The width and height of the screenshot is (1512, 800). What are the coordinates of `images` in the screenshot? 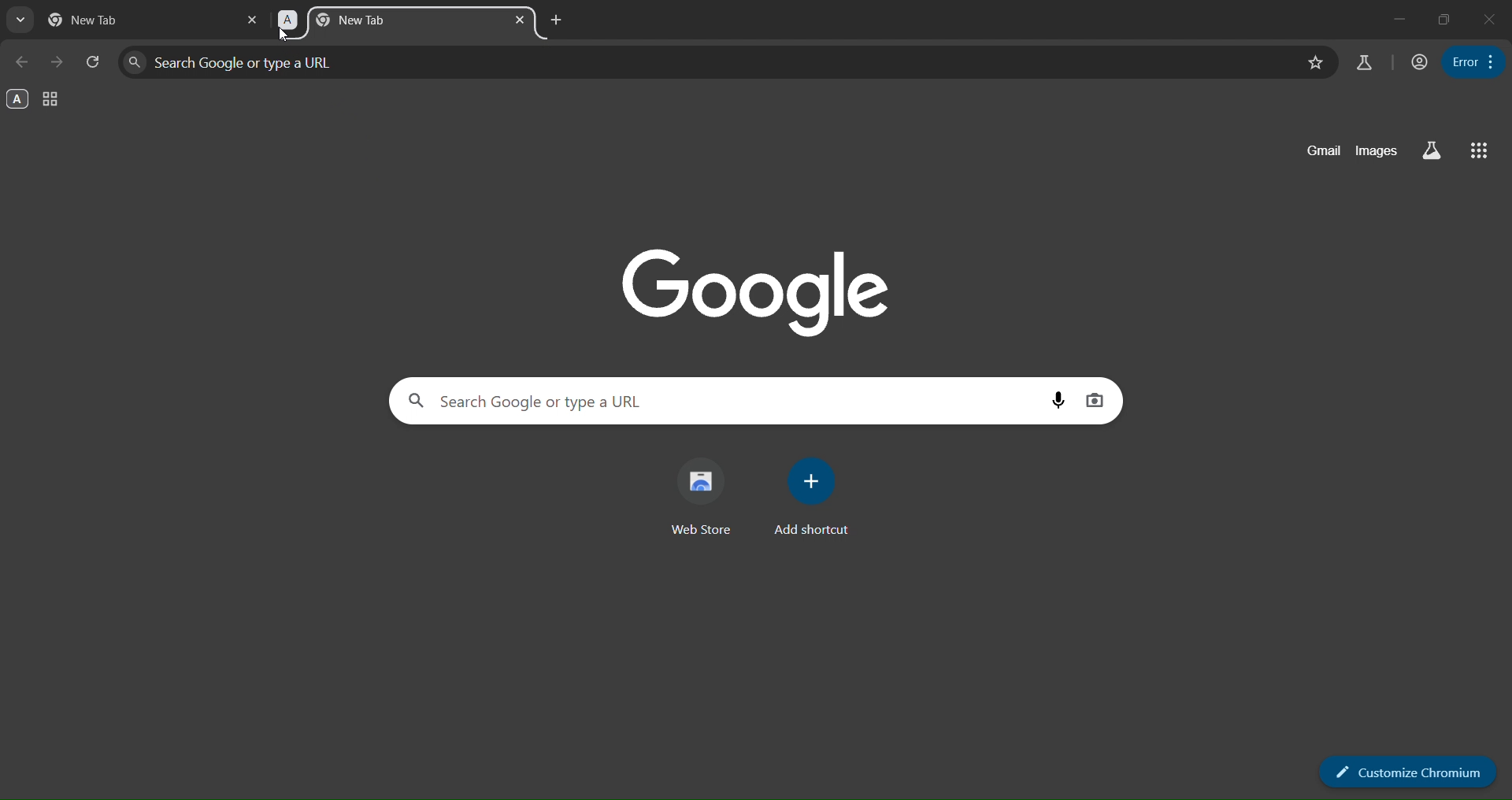 It's located at (1376, 152).